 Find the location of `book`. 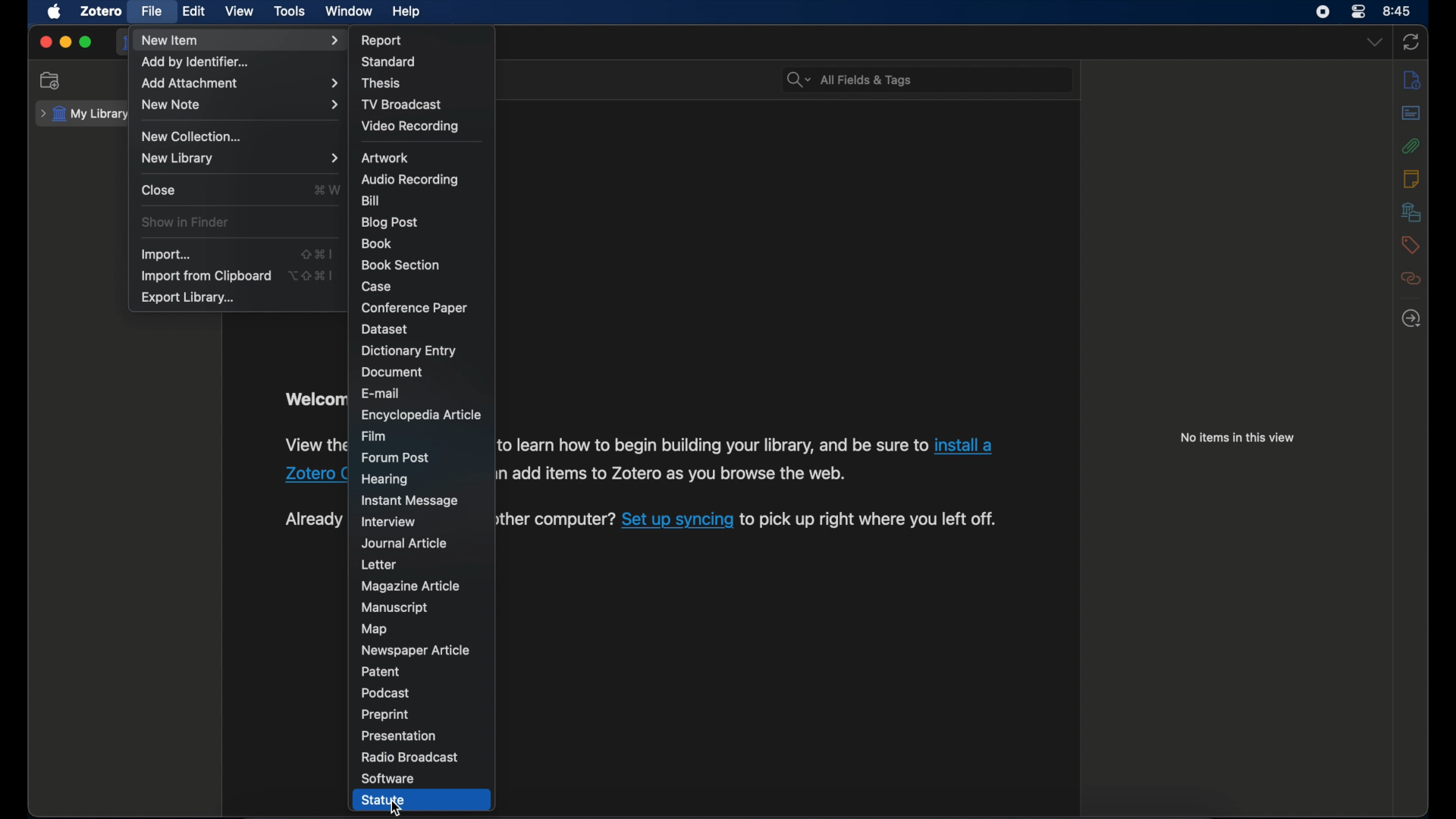

book is located at coordinates (376, 243).